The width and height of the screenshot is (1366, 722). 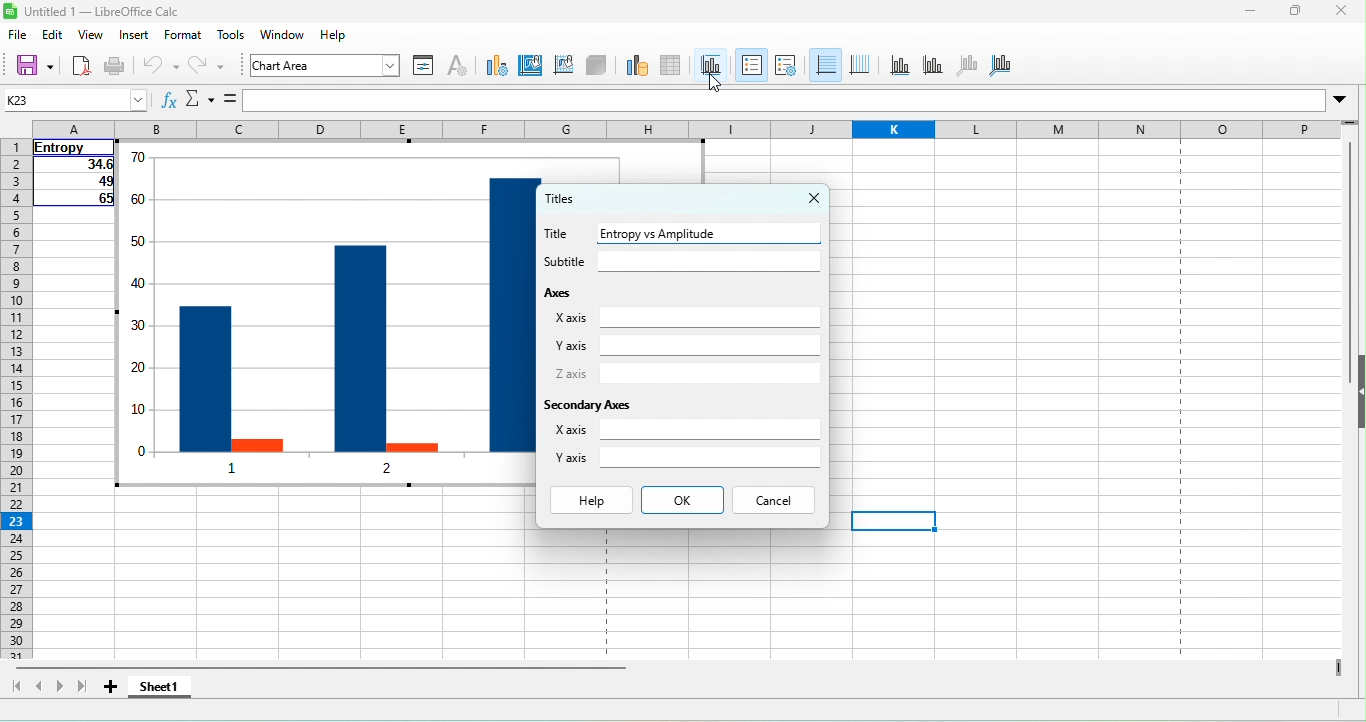 I want to click on formula, so click(x=228, y=100).